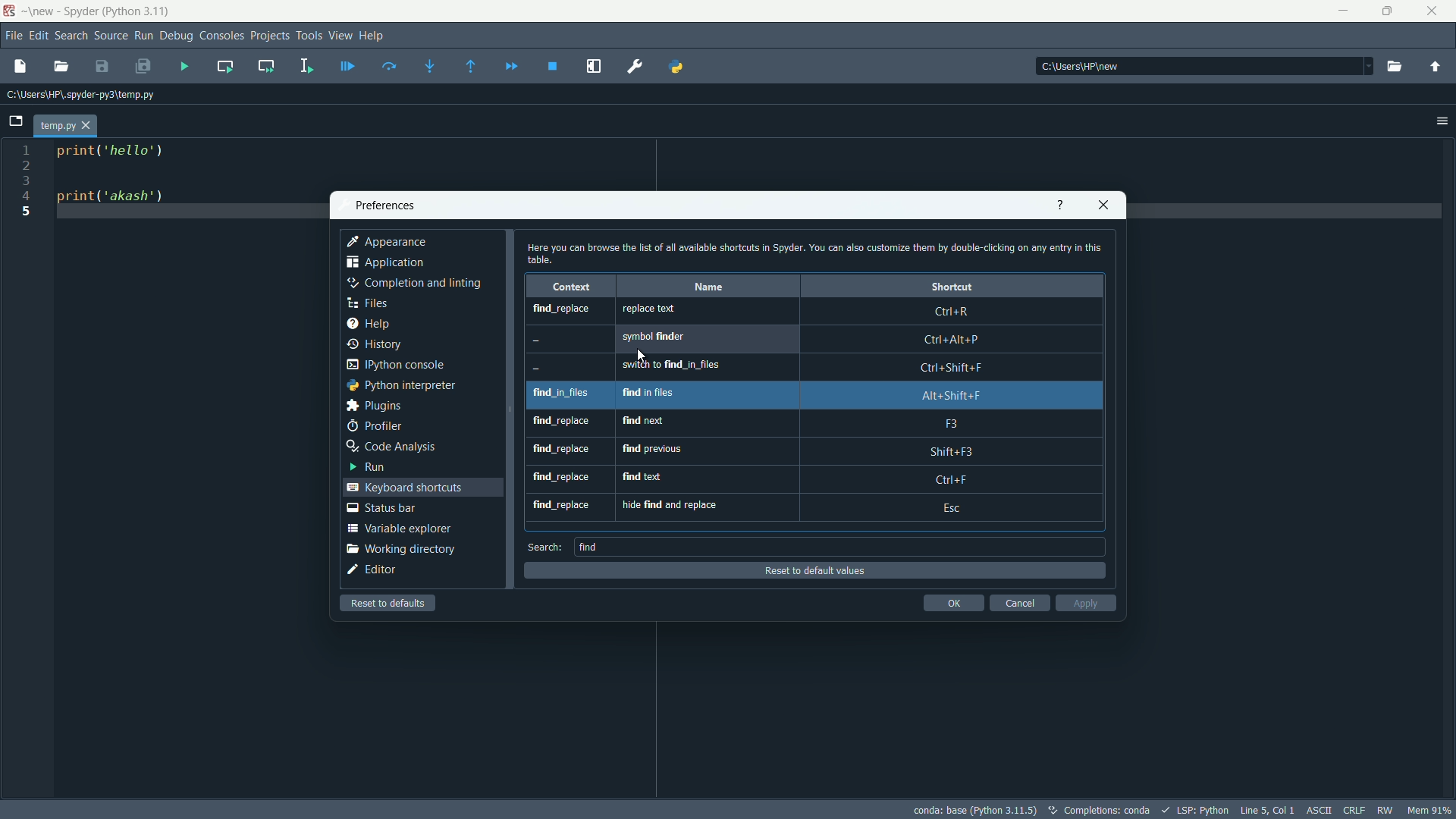 This screenshot has width=1456, height=819. Describe the element at coordinates (399, 529) in the screenshot. I see `variable explorer` at that location.